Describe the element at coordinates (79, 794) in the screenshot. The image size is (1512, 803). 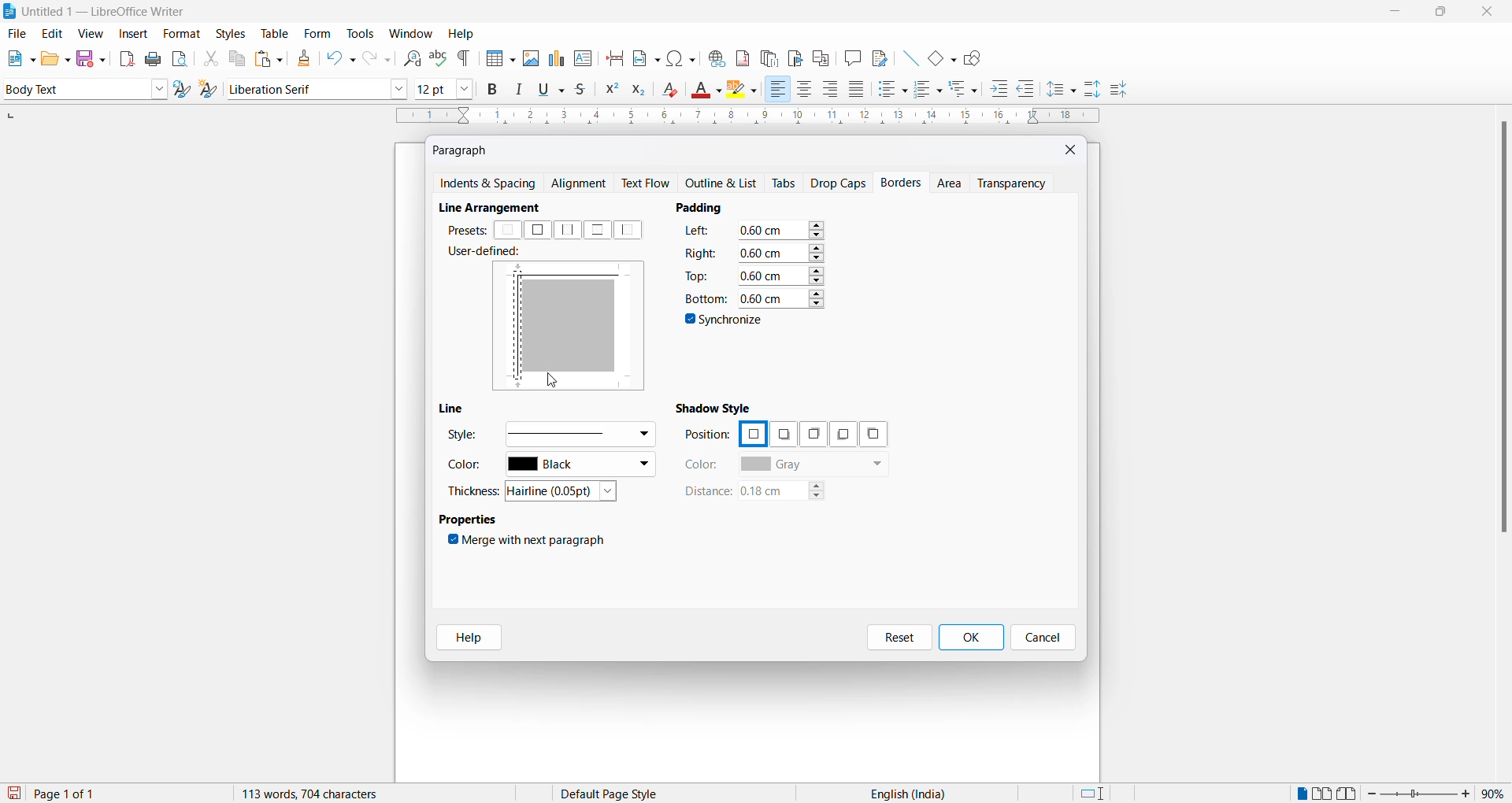
I see `total page and current page` at that location.